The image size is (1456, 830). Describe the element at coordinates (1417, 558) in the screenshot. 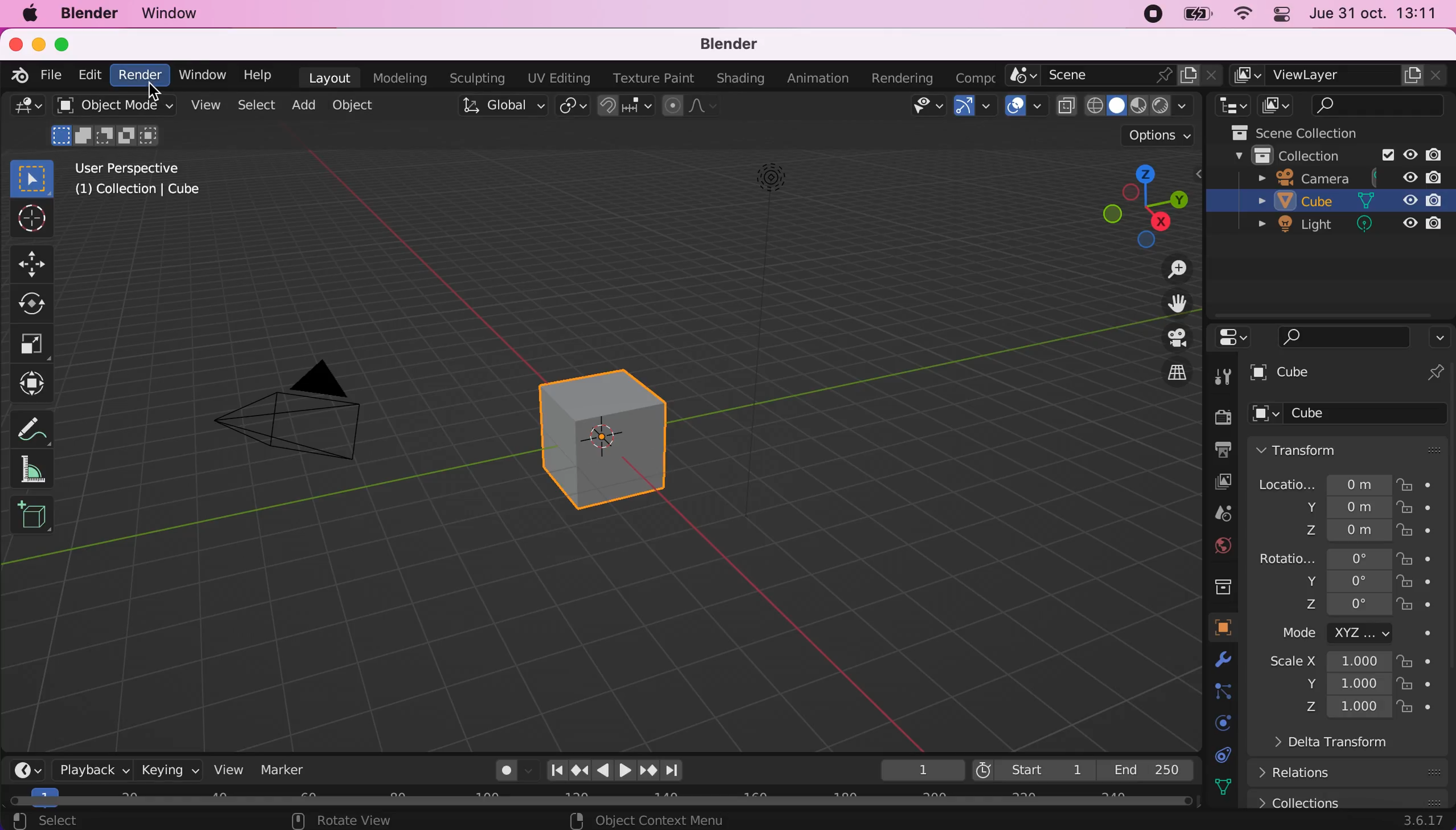

I see `lock` at that location.